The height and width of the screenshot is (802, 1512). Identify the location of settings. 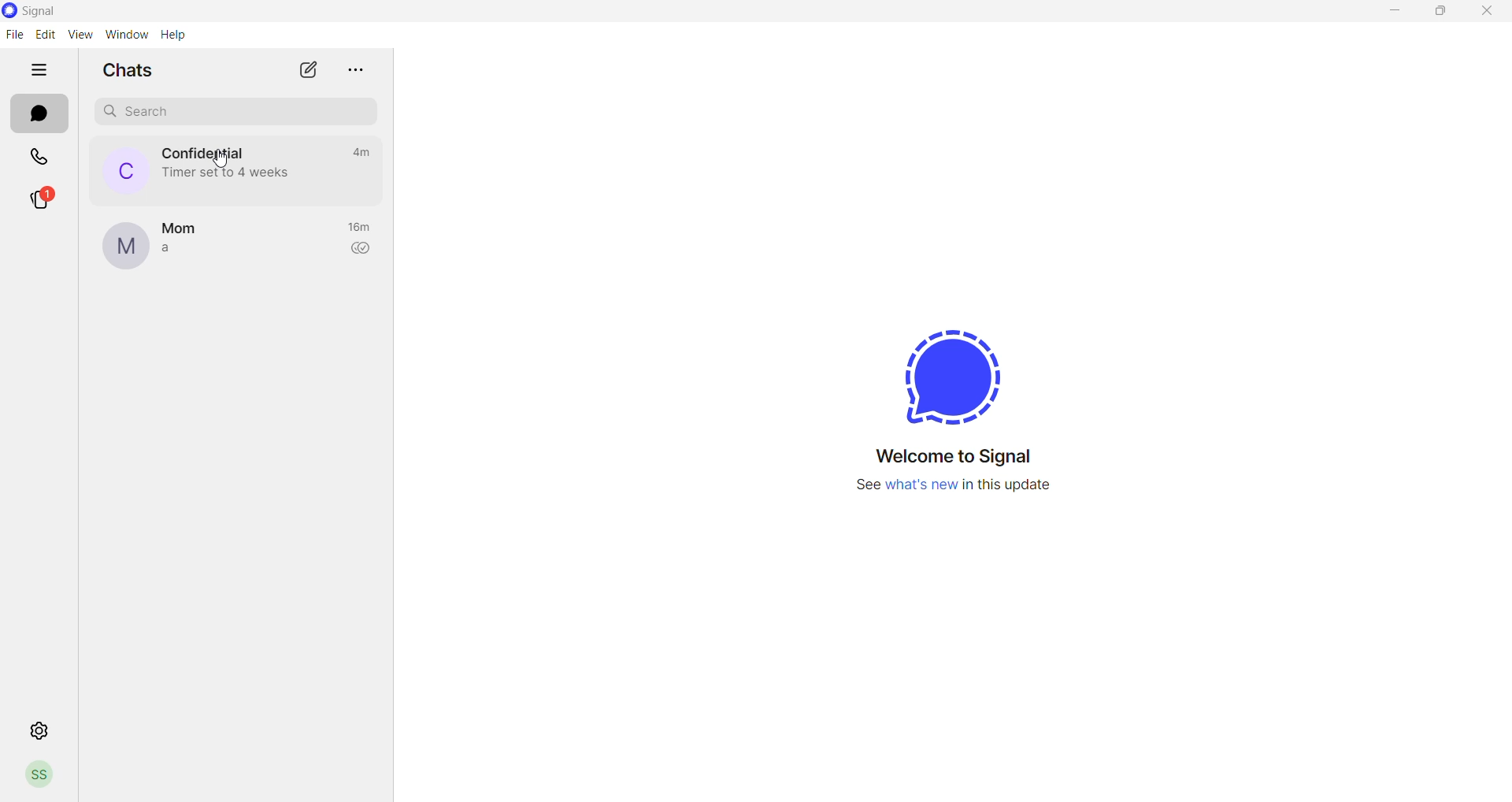
(41, 732).